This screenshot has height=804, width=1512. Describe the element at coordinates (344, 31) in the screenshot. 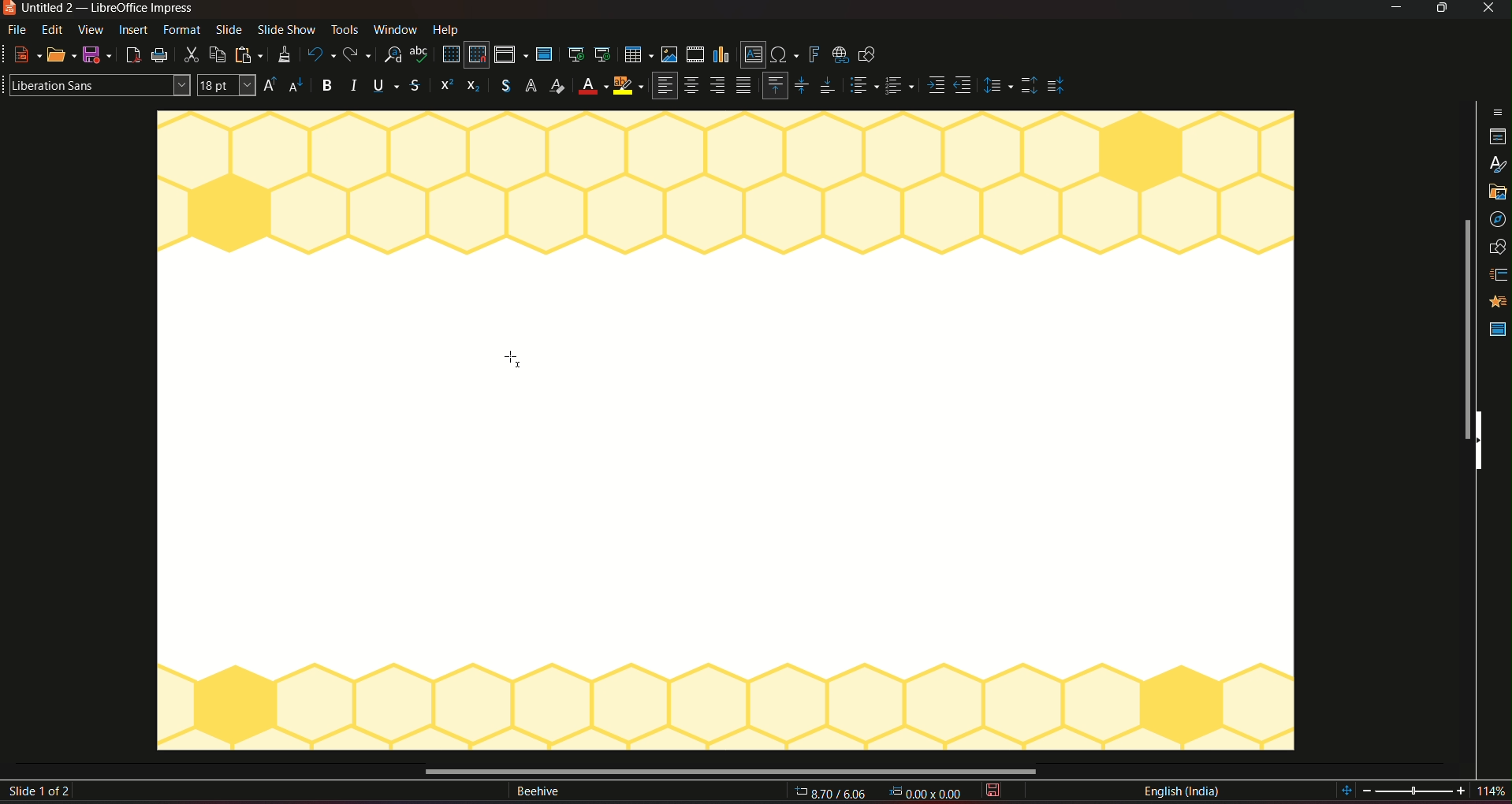

I see `tools` at that location.